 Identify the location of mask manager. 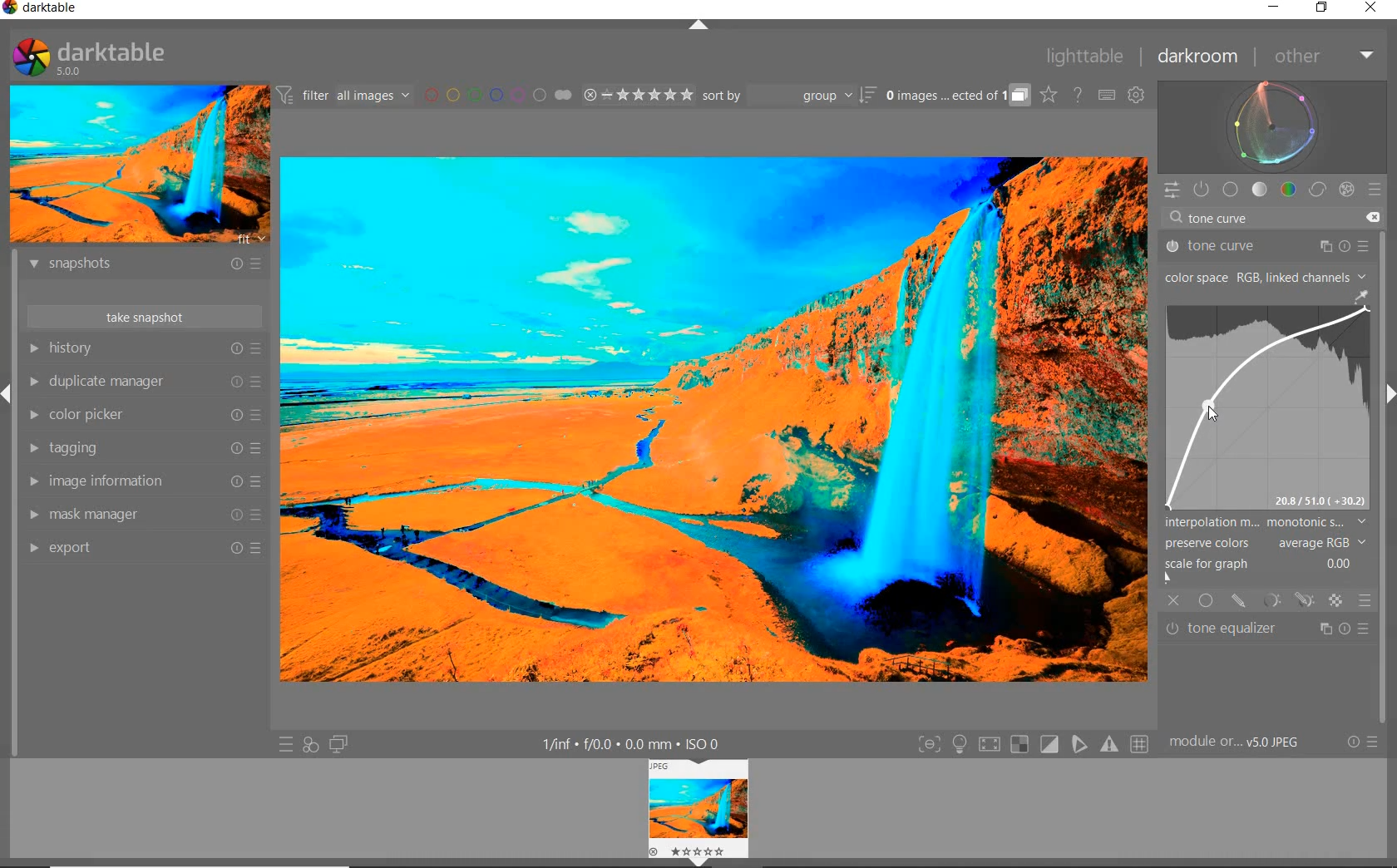
(146, 515).